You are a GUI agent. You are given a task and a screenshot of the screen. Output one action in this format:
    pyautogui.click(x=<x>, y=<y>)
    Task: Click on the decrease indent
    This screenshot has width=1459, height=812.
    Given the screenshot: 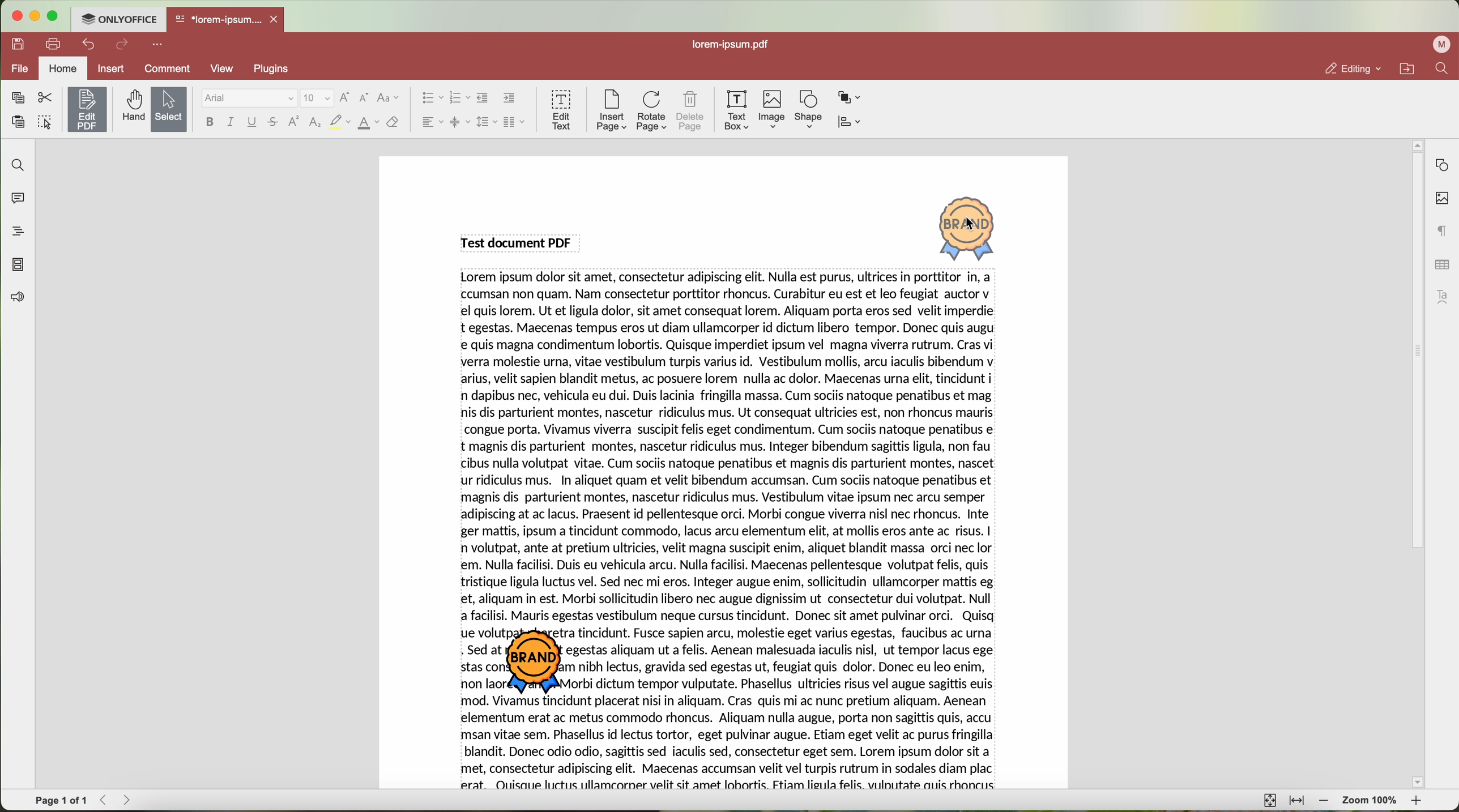 What is the action you would take?
    pyautogui.click(x=483, y=98)
    